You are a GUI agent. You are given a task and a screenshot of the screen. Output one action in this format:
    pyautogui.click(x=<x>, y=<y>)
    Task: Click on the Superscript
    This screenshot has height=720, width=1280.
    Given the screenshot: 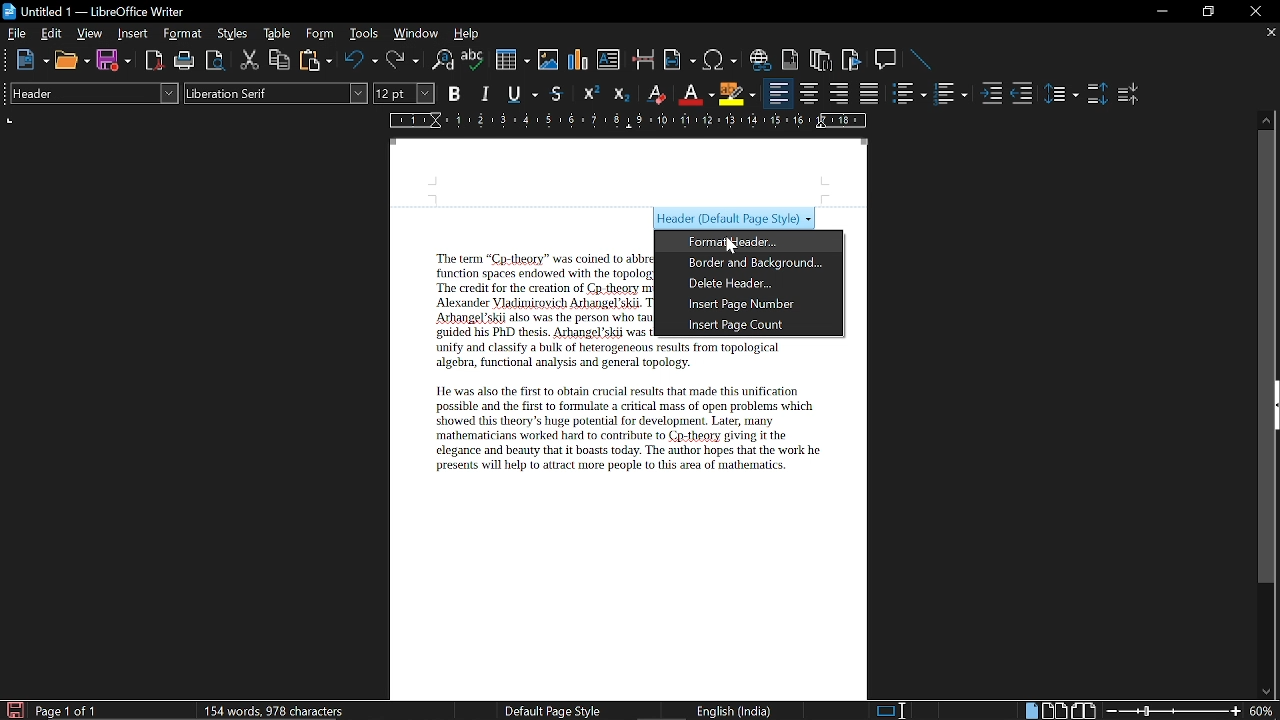 What is the action you would take?
    pyautogui.click(x=588, y=94)
    